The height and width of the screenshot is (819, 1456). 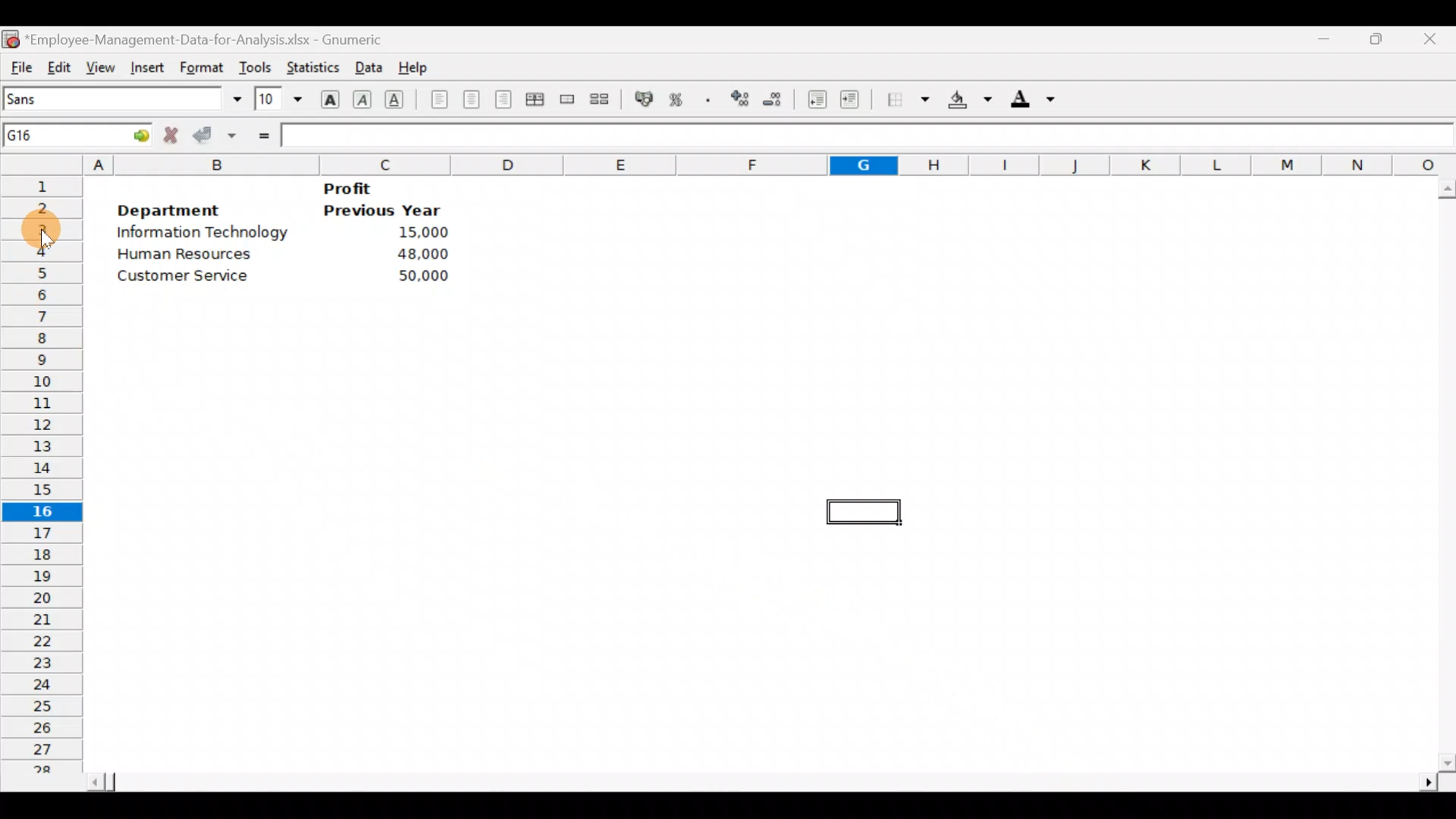 I want to click on Borders, so click(x=908, y=99).